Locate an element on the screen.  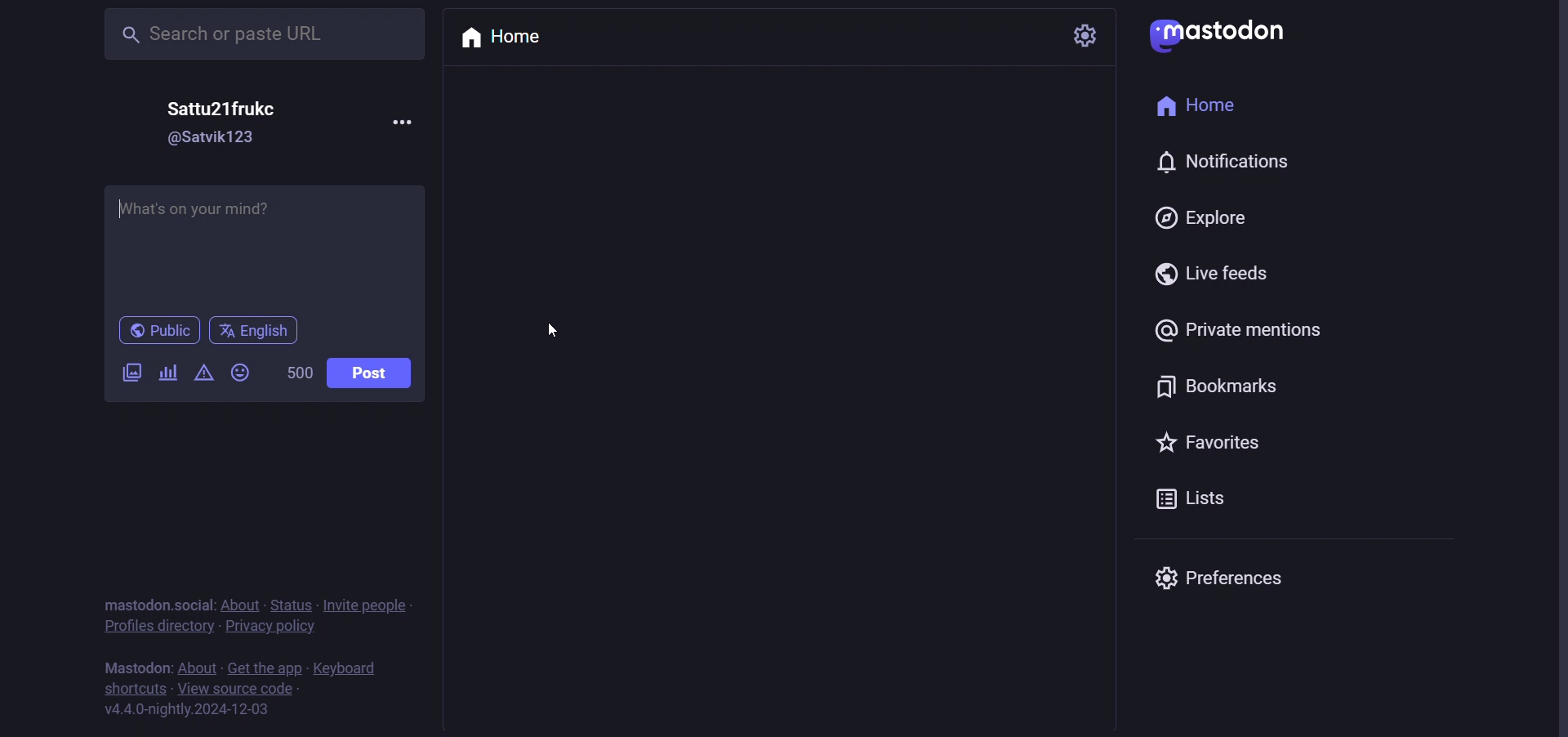
live feeds is located at coordinates (1213, 274).